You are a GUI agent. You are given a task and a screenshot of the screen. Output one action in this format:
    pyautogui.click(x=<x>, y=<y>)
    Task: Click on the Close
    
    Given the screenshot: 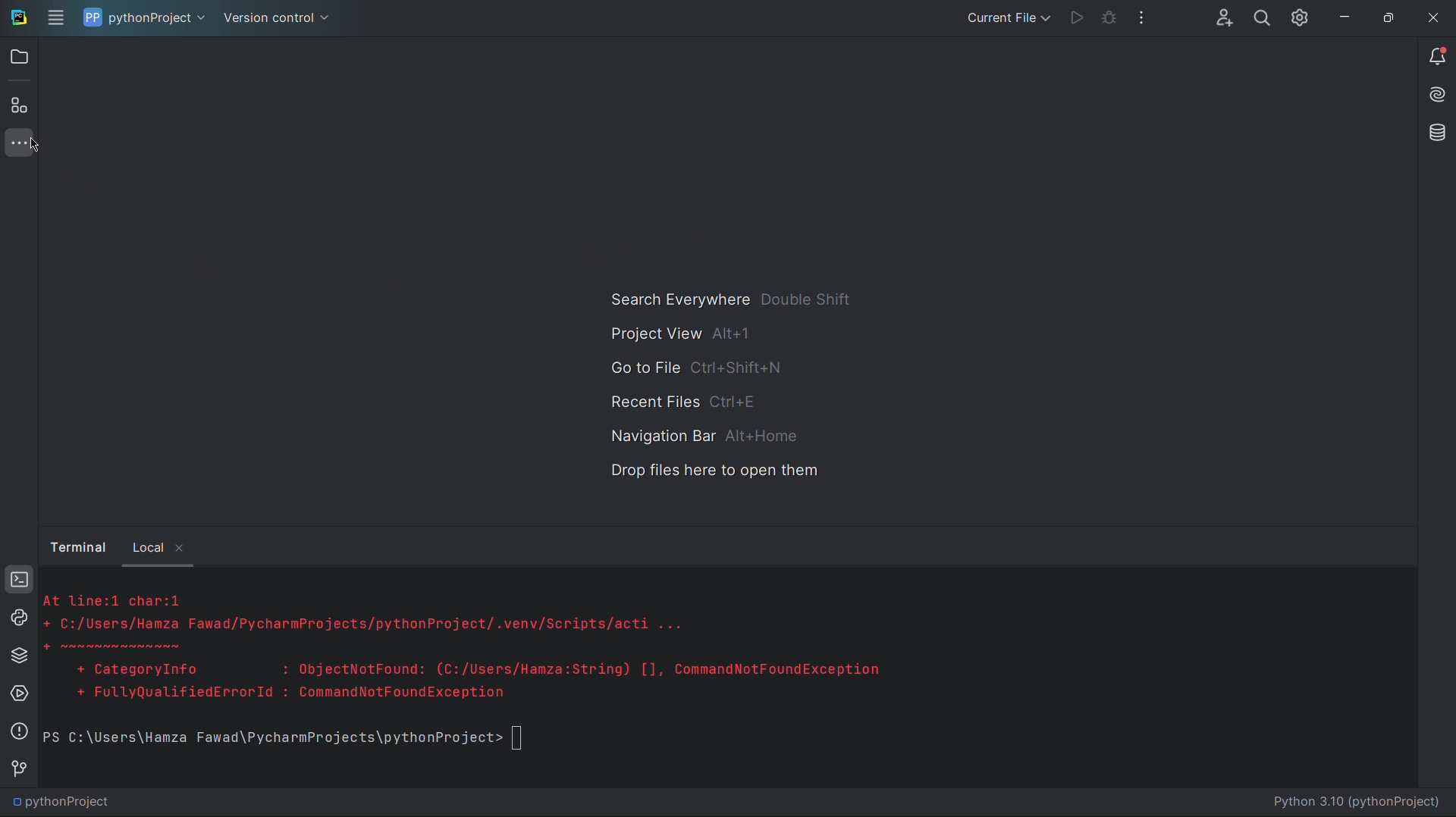 What is the action you would take?
    pyautogui.click(x=1432, y=17)
    